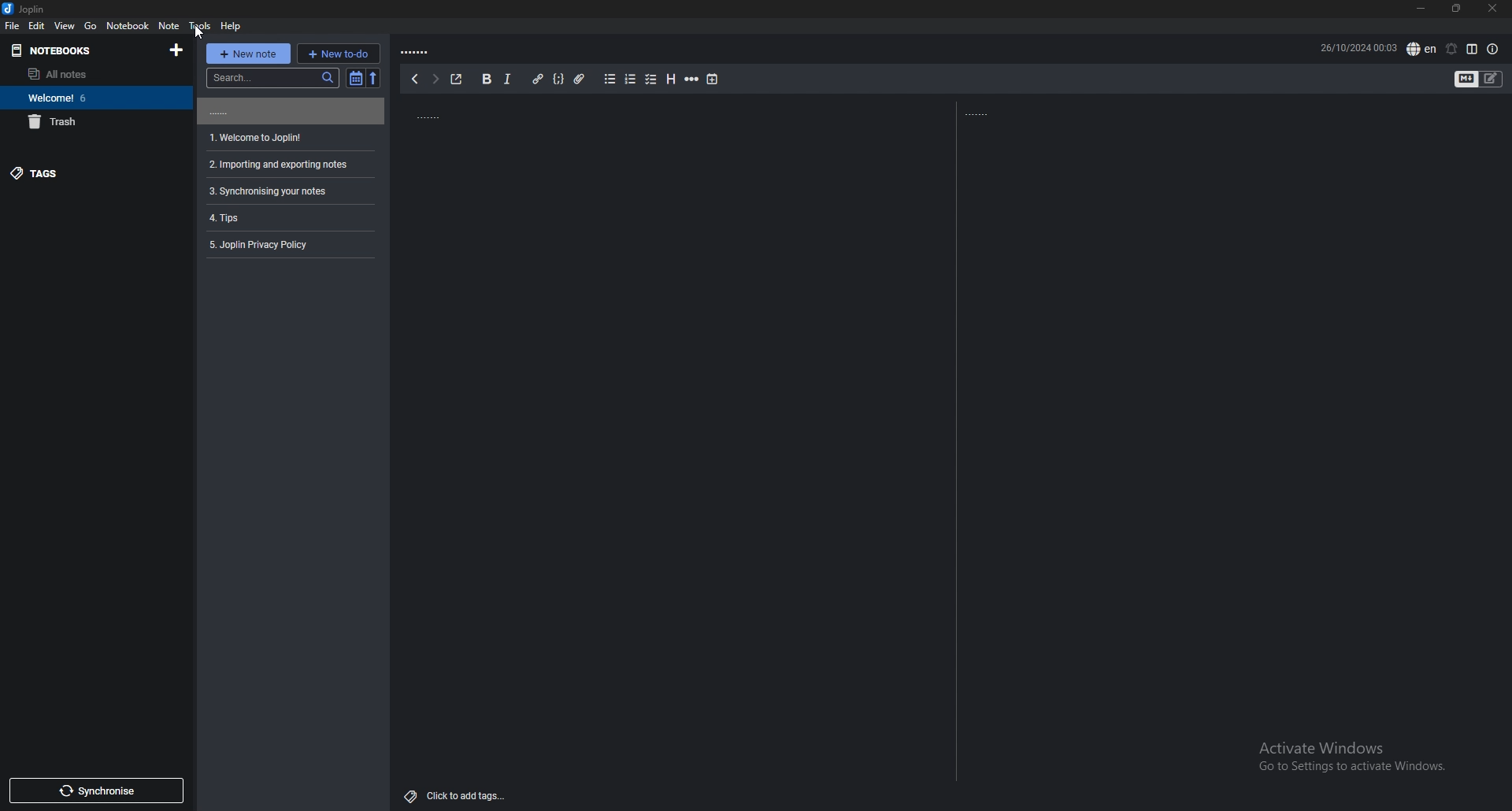  I want to click on 3. Synchronising your notes, so click(269, 191).